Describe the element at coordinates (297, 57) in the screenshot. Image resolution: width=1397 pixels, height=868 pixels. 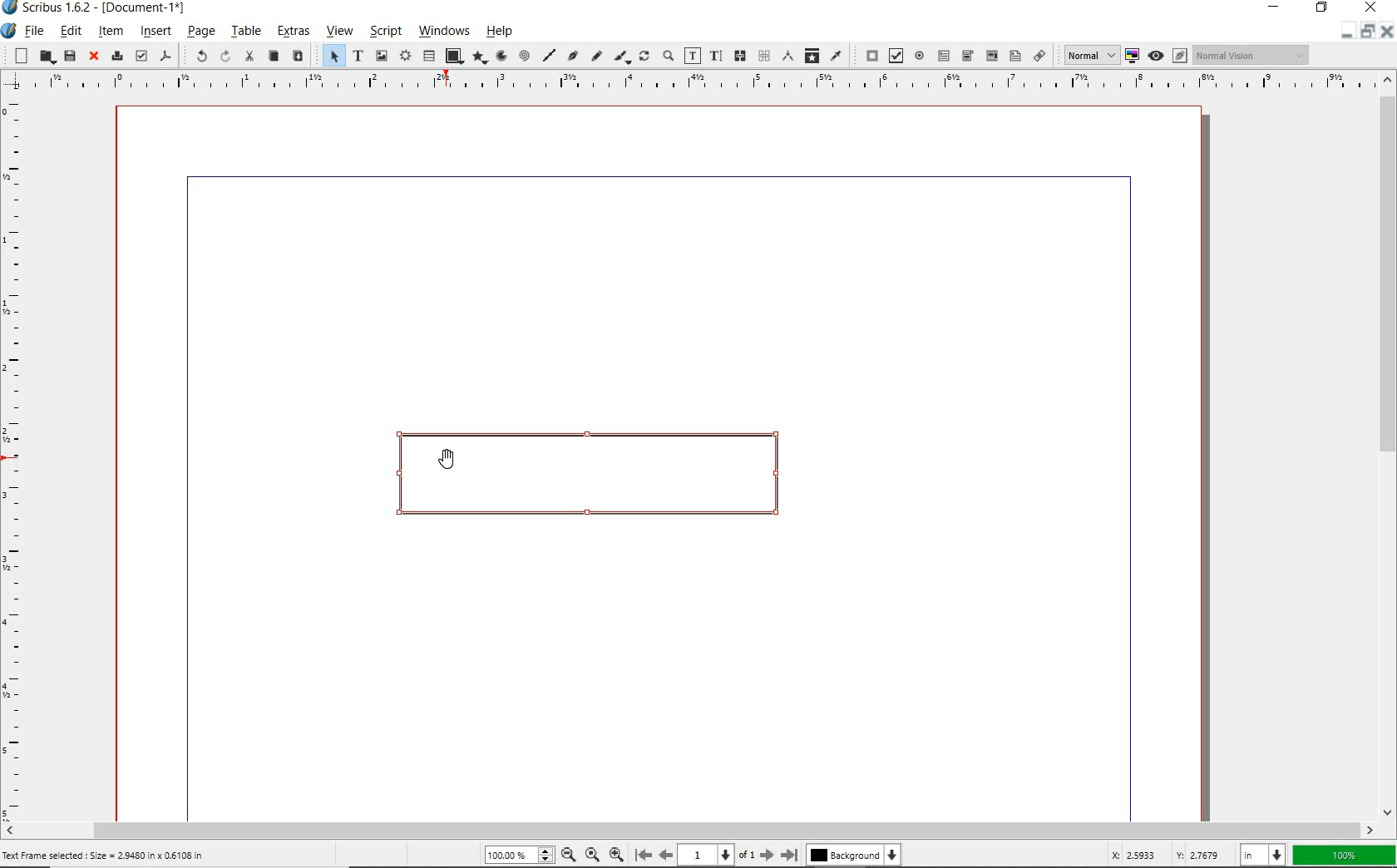
I see `paste` at that location.